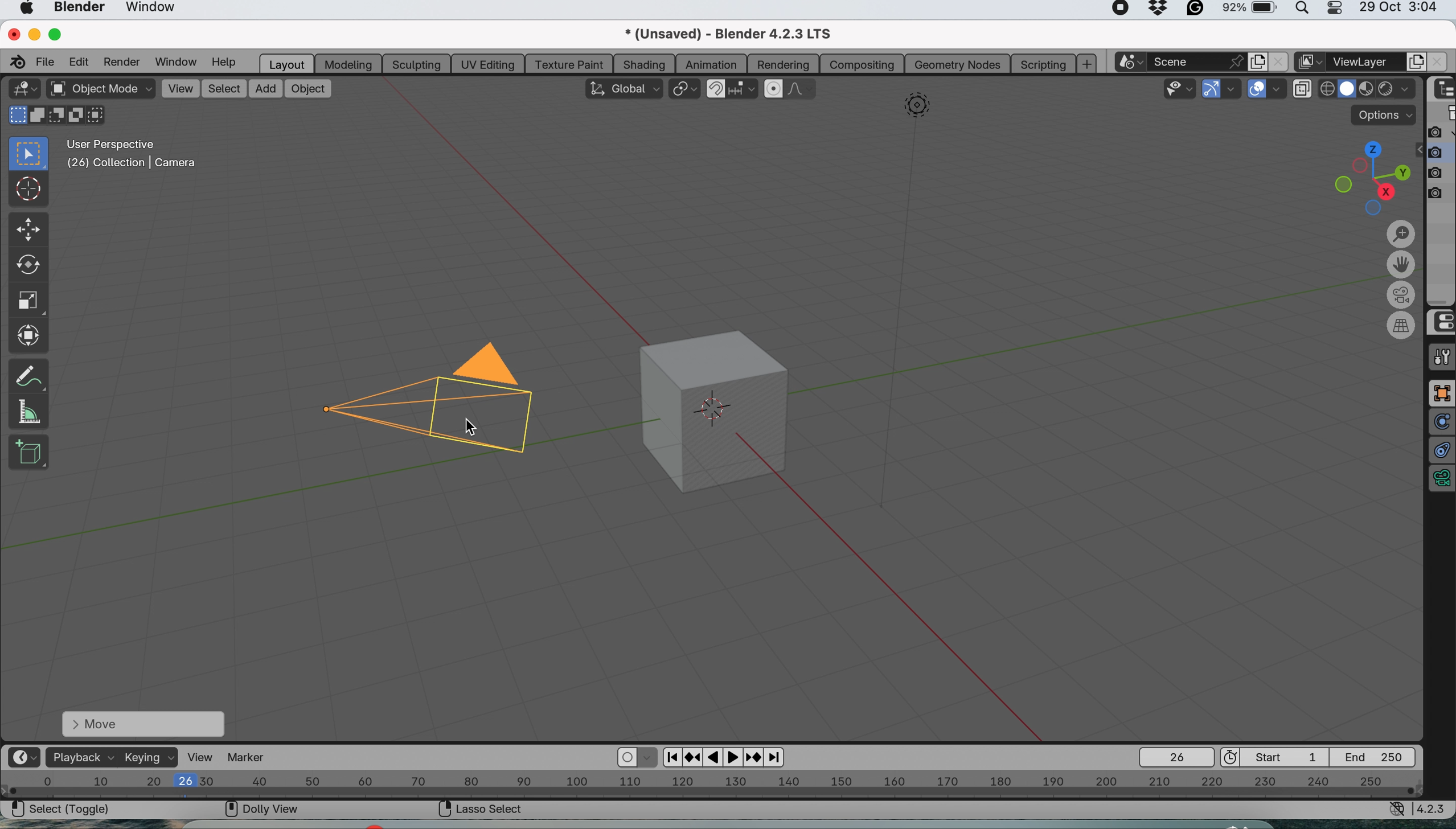 This screenshot has width=1456, height=829. I want to click on spotlight search, so click(1305, 11).